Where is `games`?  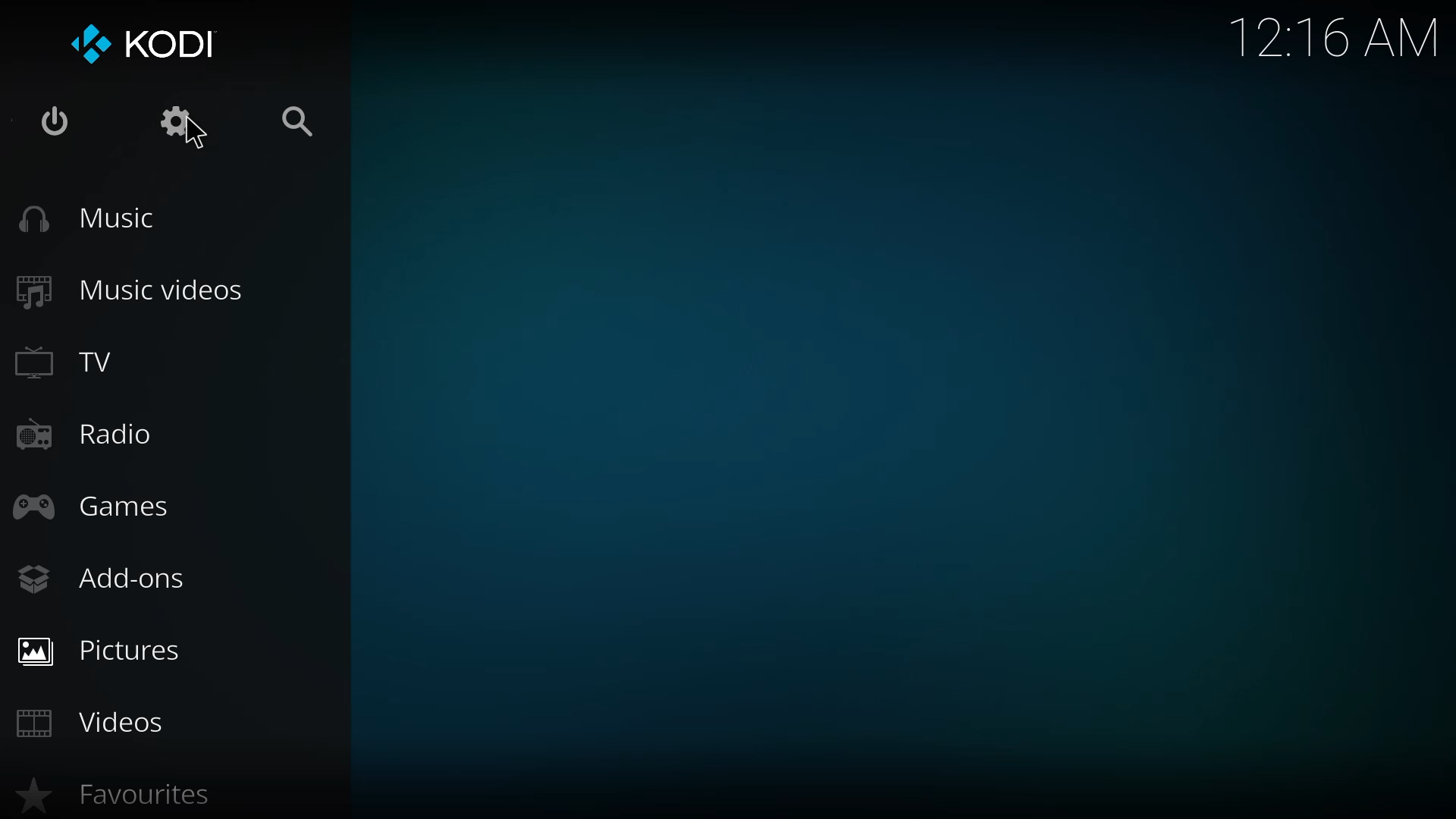 games is located at coordinates (105, 505).